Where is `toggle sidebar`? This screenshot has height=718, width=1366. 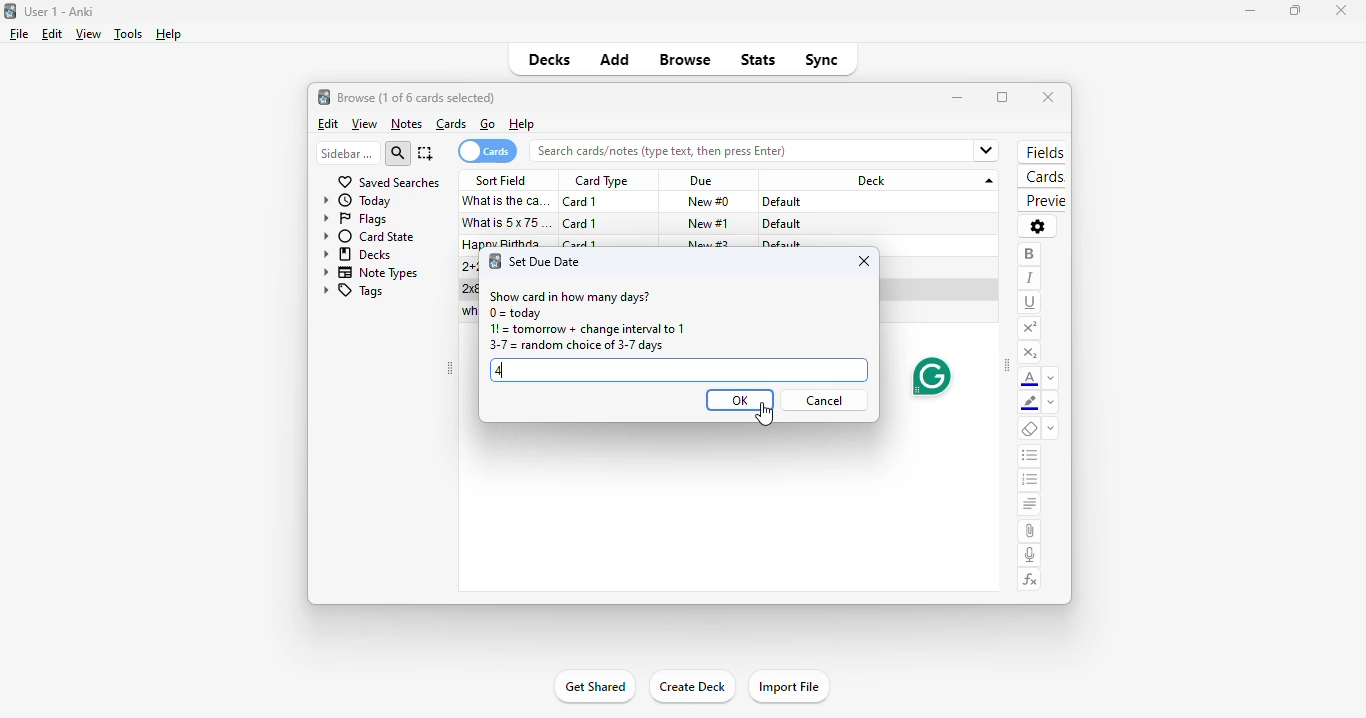
toggle sidebar is located at coordinates (449, 369).